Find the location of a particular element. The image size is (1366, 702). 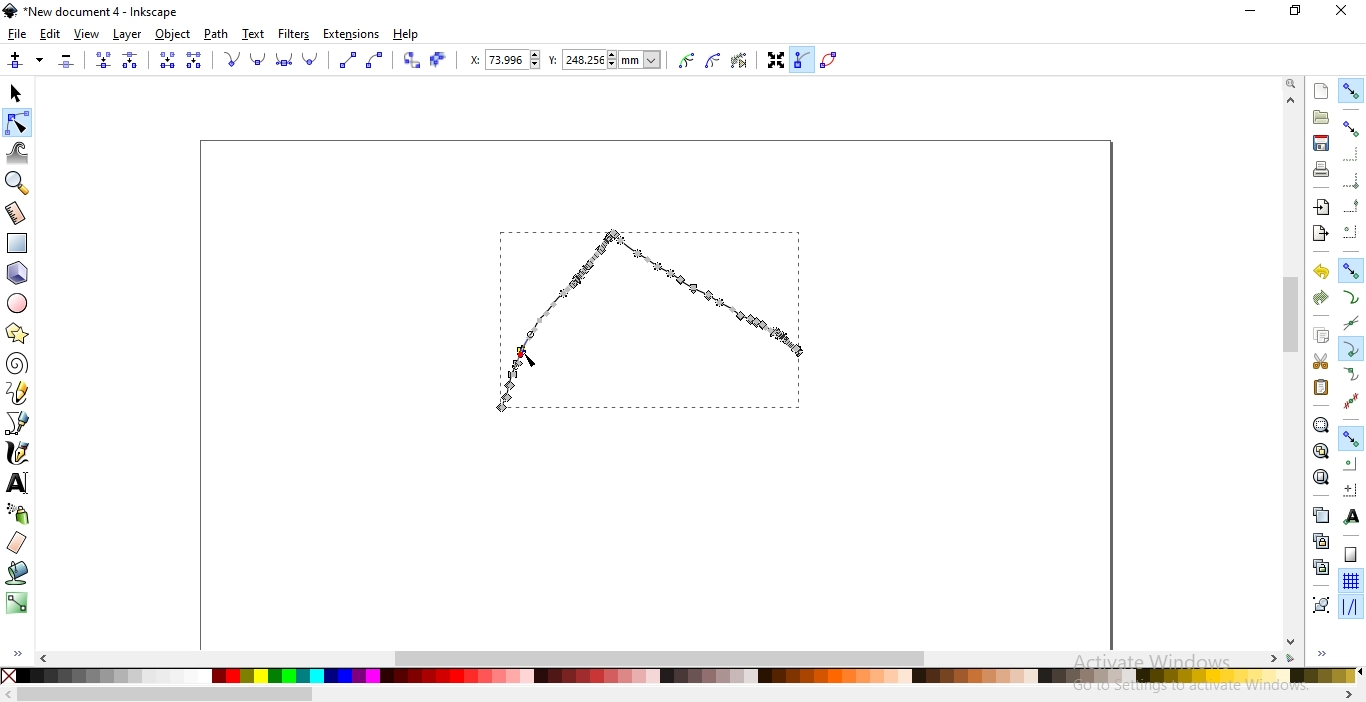

show path outline(without path effects) is located at coordinates (832, 59).